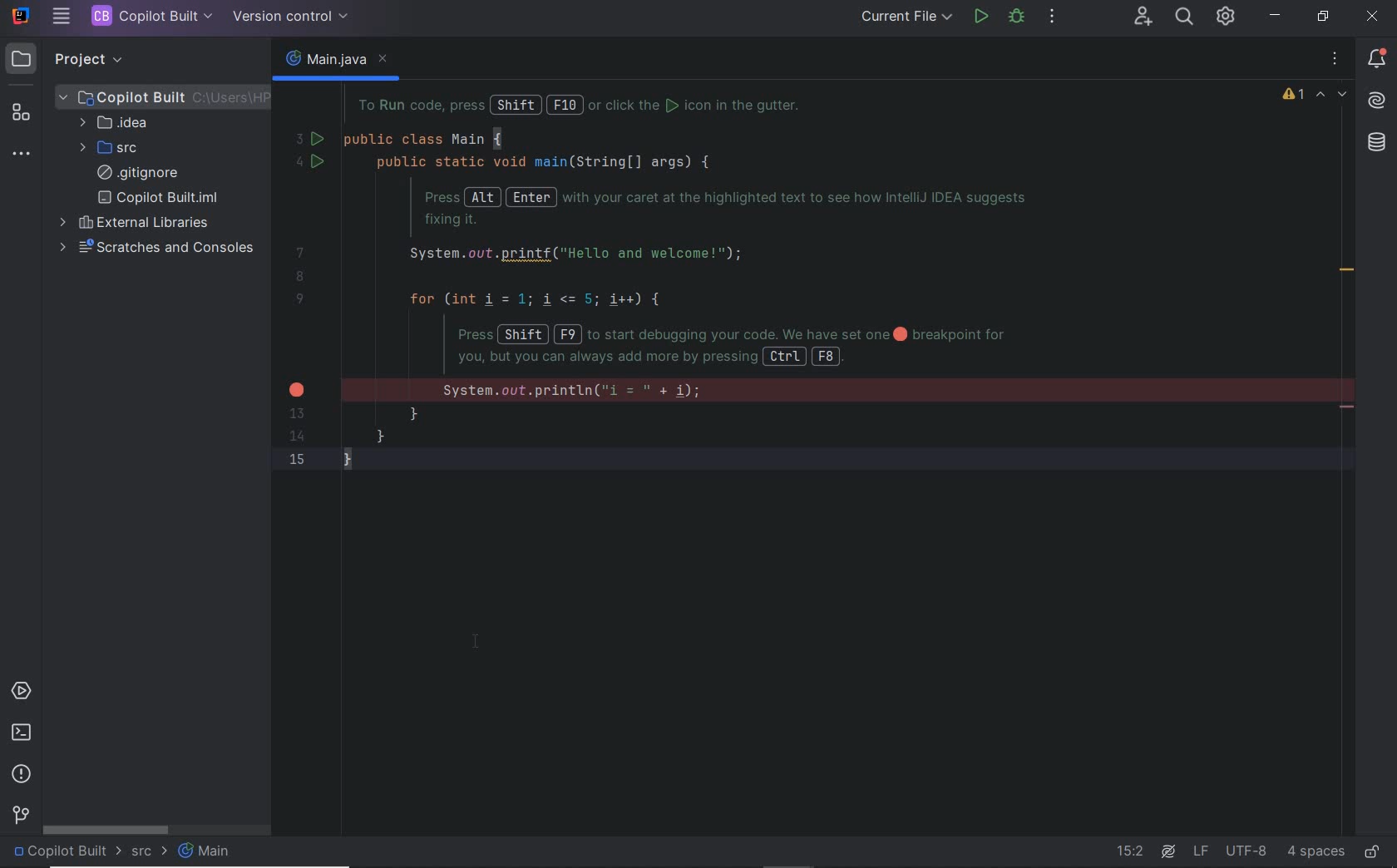  Describe the element at coordinates (297, 389) in the screenshot. I see `error` at that location.